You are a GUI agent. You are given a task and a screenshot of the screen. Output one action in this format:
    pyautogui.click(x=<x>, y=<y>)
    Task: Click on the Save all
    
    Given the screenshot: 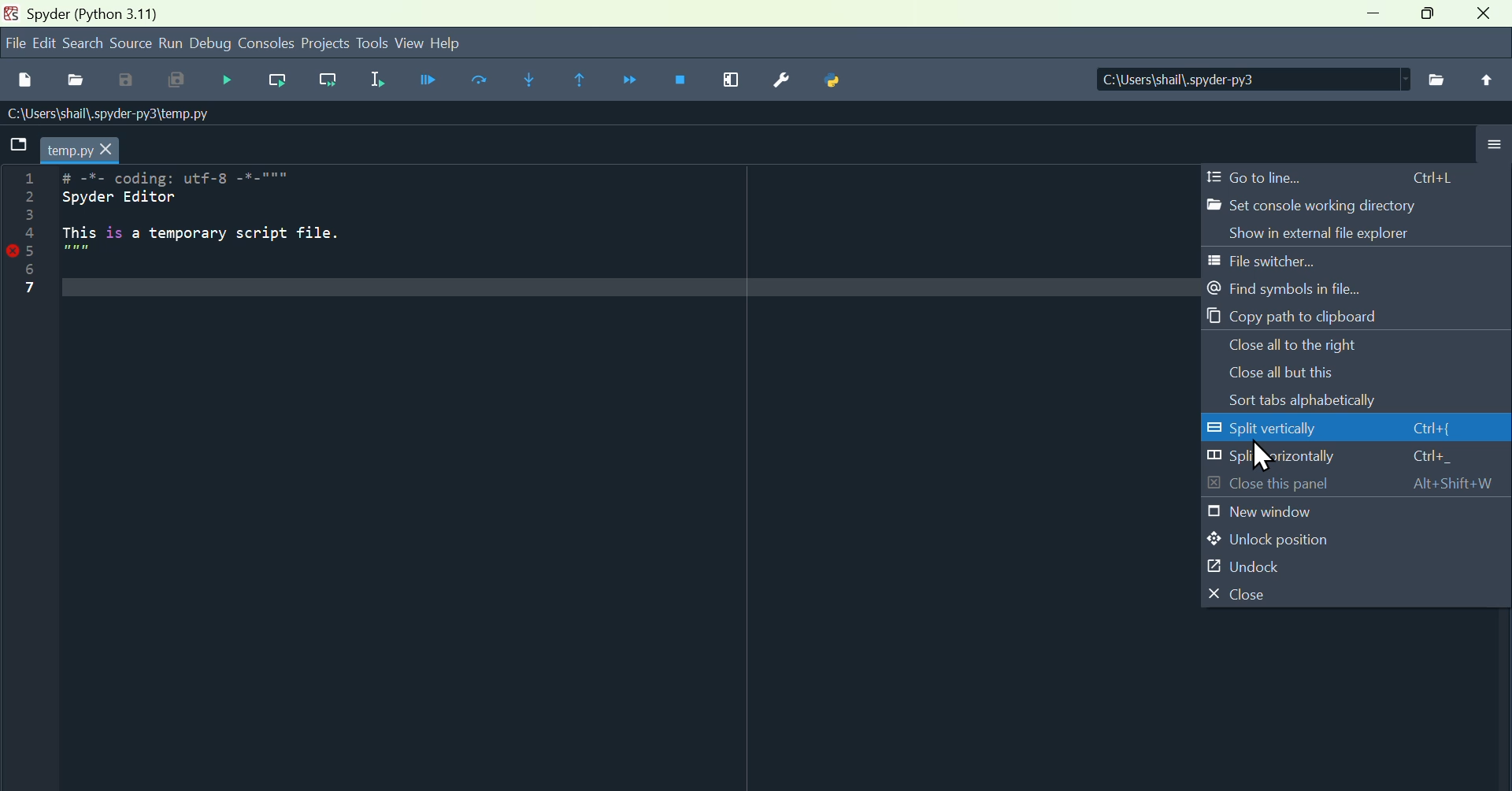 What is the action you would take?
    pyautogui.click(x=184, y=84)
    